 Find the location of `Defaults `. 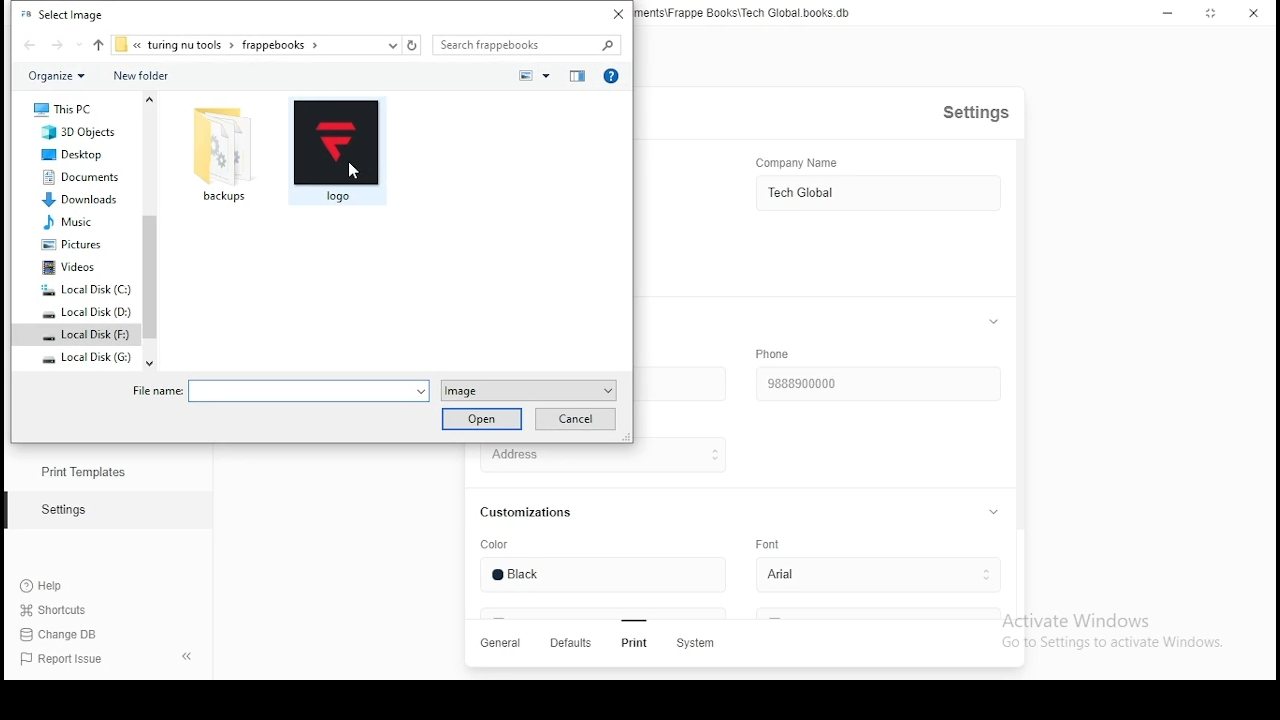

Defaults  is located at coordinates (569, 645).